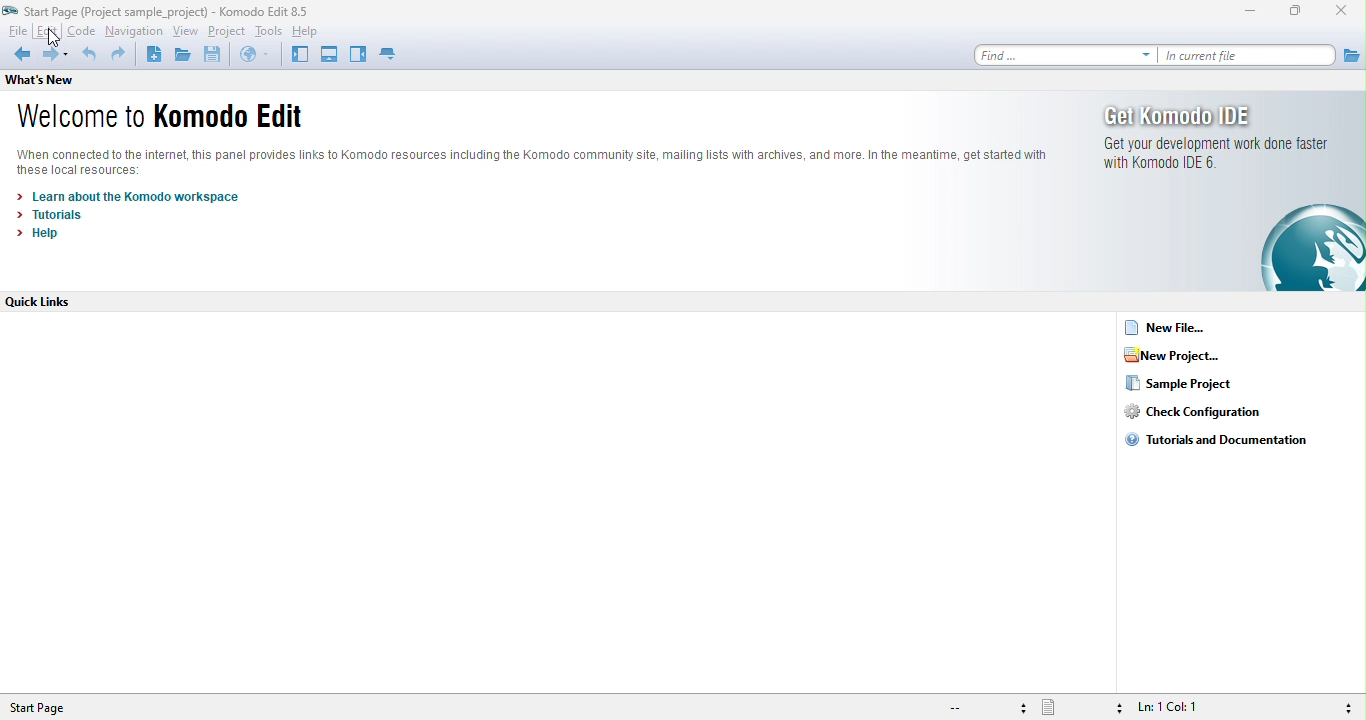  What do you see at coordinates (82, 32) in the screenshot?
I see `code` at bounding box center [82, 32].